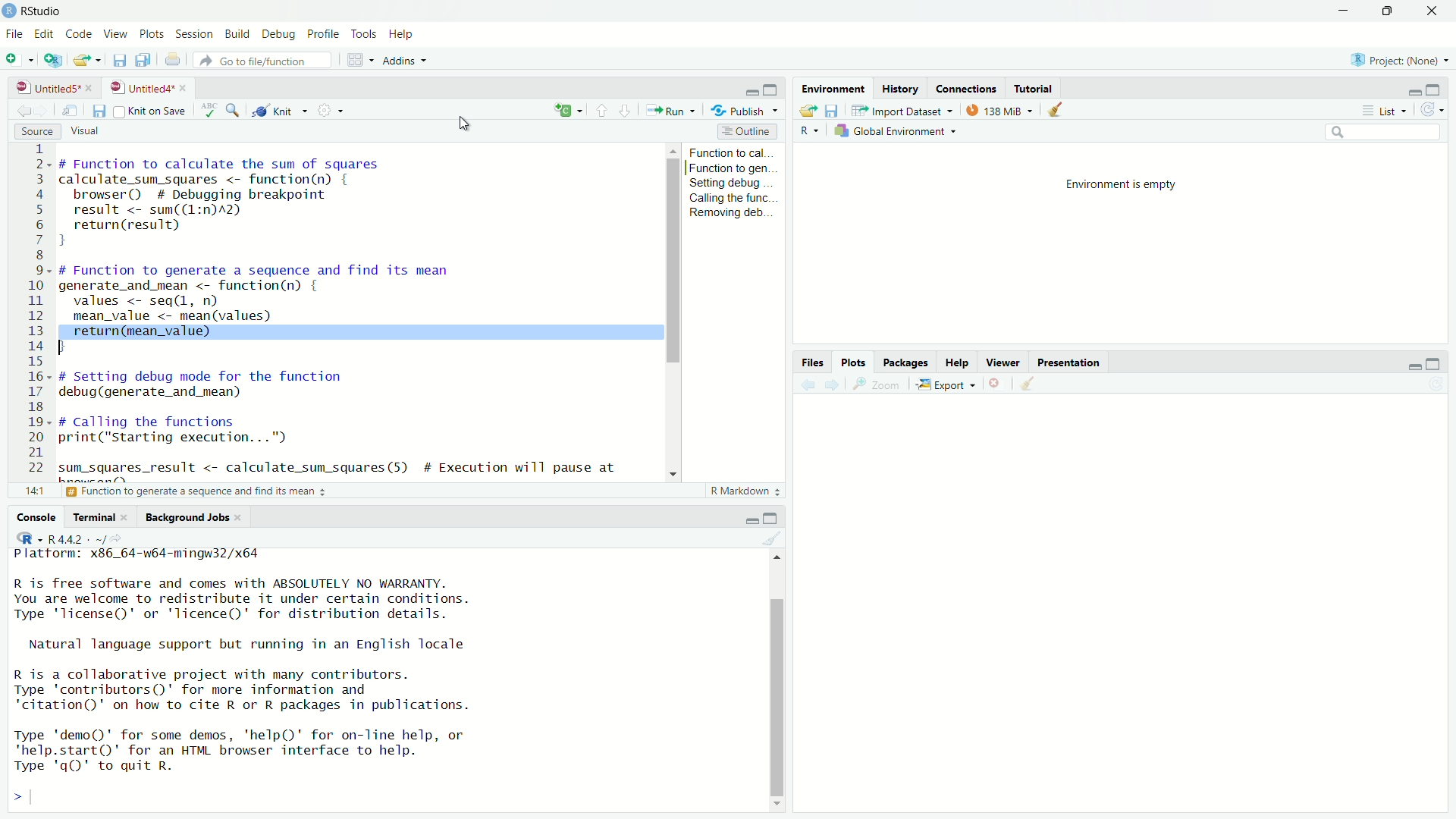  What do you see at coordinates (90, 516) in the screenshot?
I see `terminal` at bounding box center [90, 516].